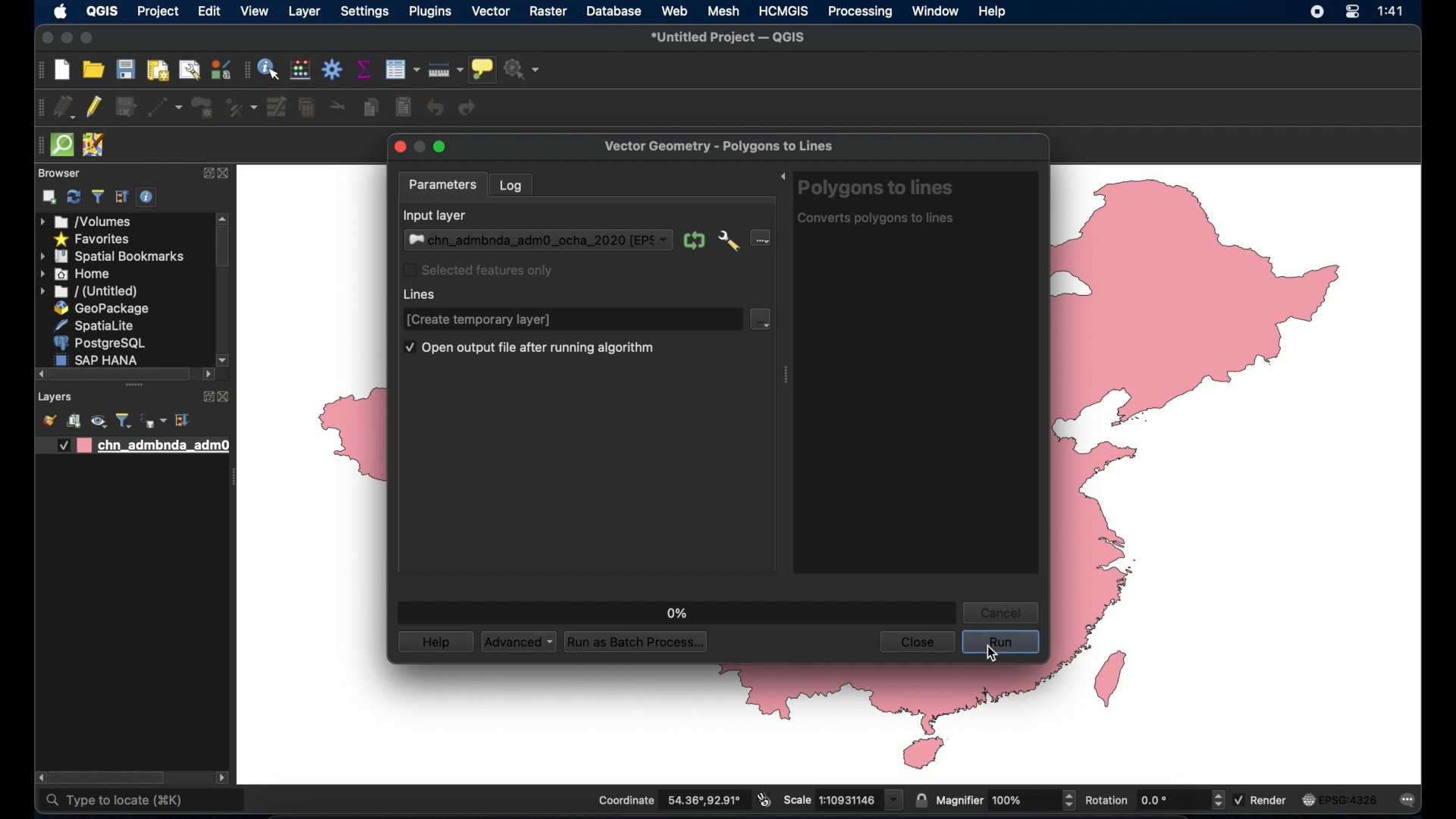 Image resolution: width=1456 pixels, height=819 pixels. Describe the element at coordinates (1394, 11) in the screenshot. I see `time` at that location.